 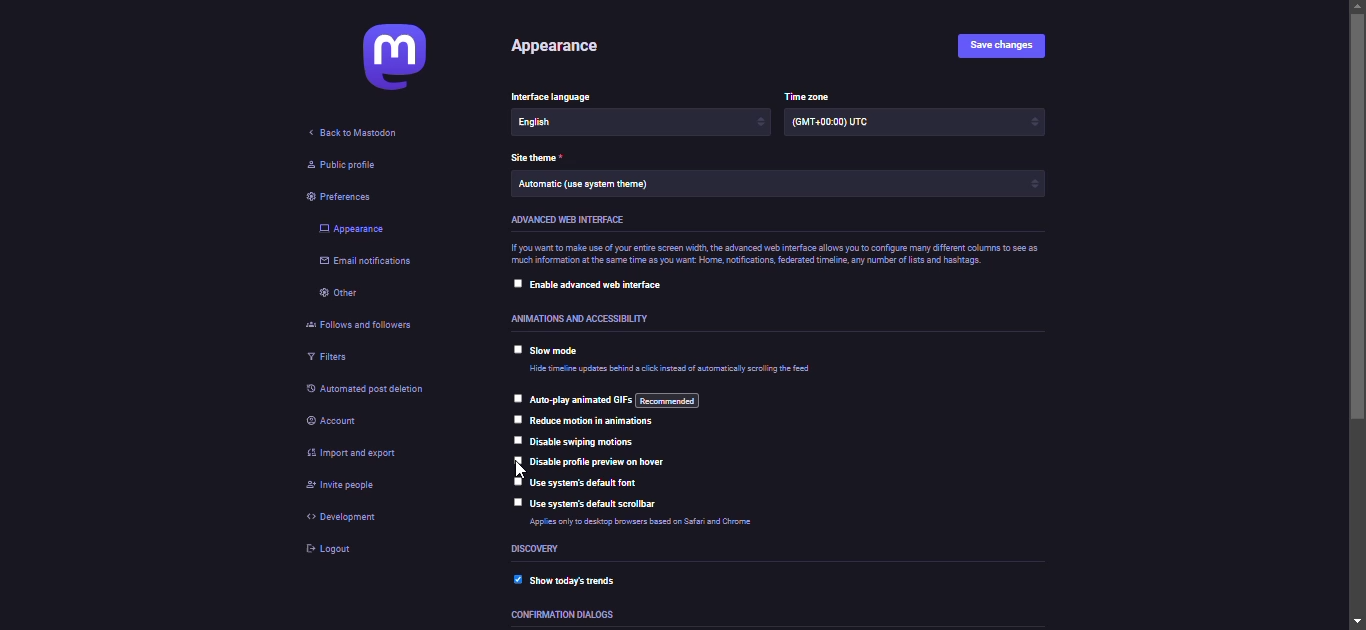 I want to click on invite people, so click(x=349, y=488).